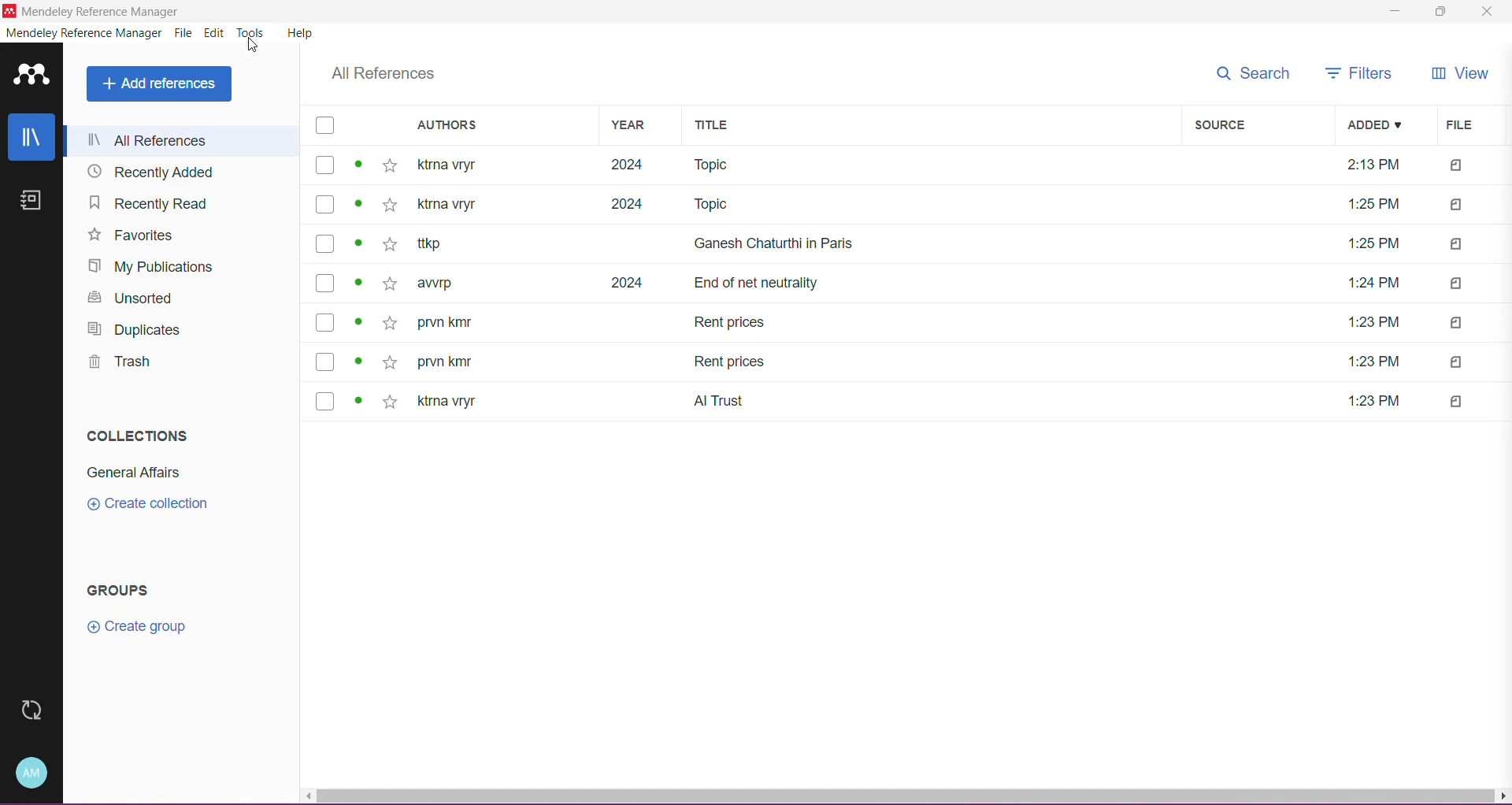 The width and height of the screenshot is (1512, 805). What do you see at coordinates (358, 283) in the screenshot?
I see `read` at bounding box center [358, 283].